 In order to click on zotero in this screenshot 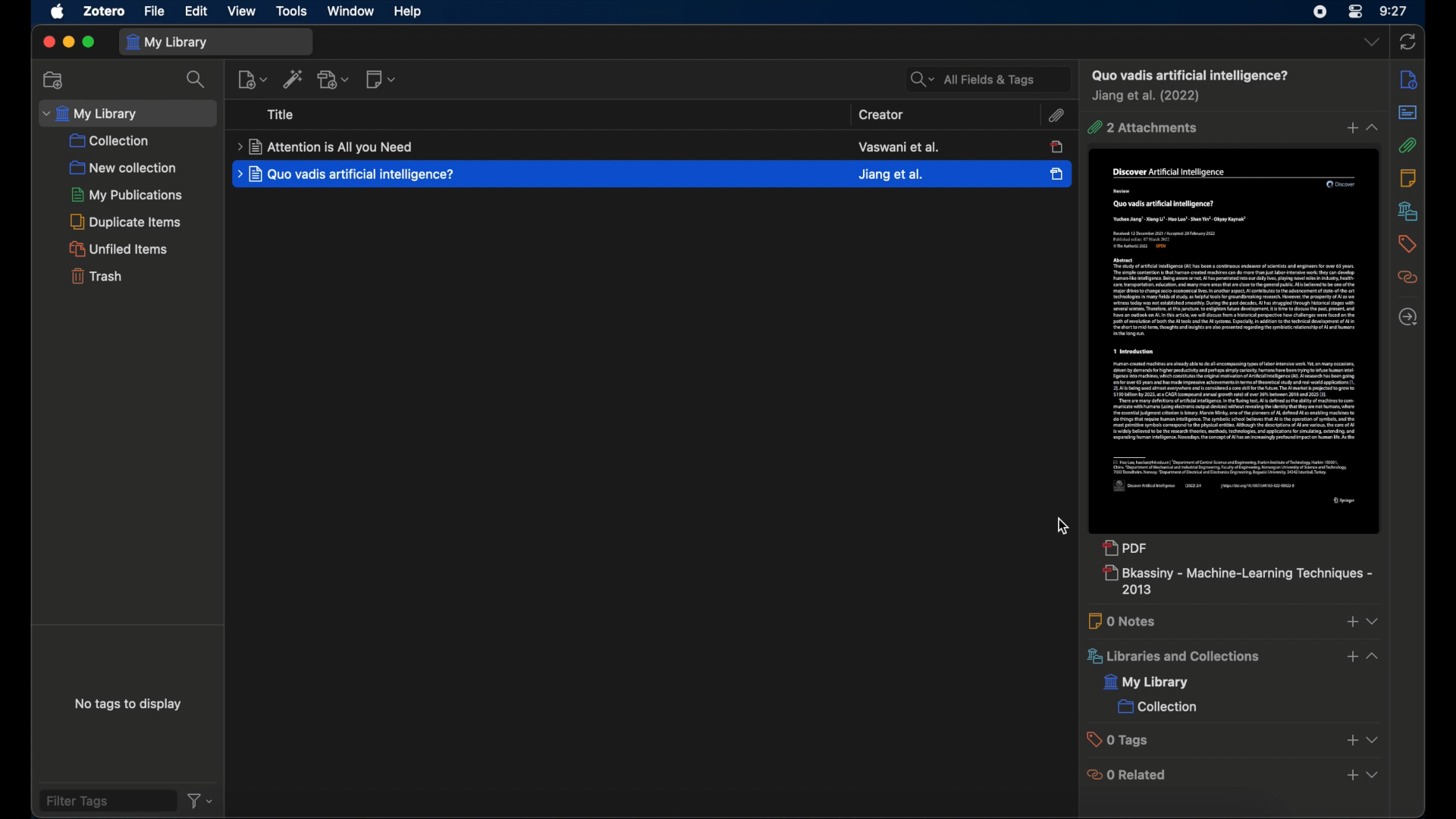, I will do `click(105, 11)`.